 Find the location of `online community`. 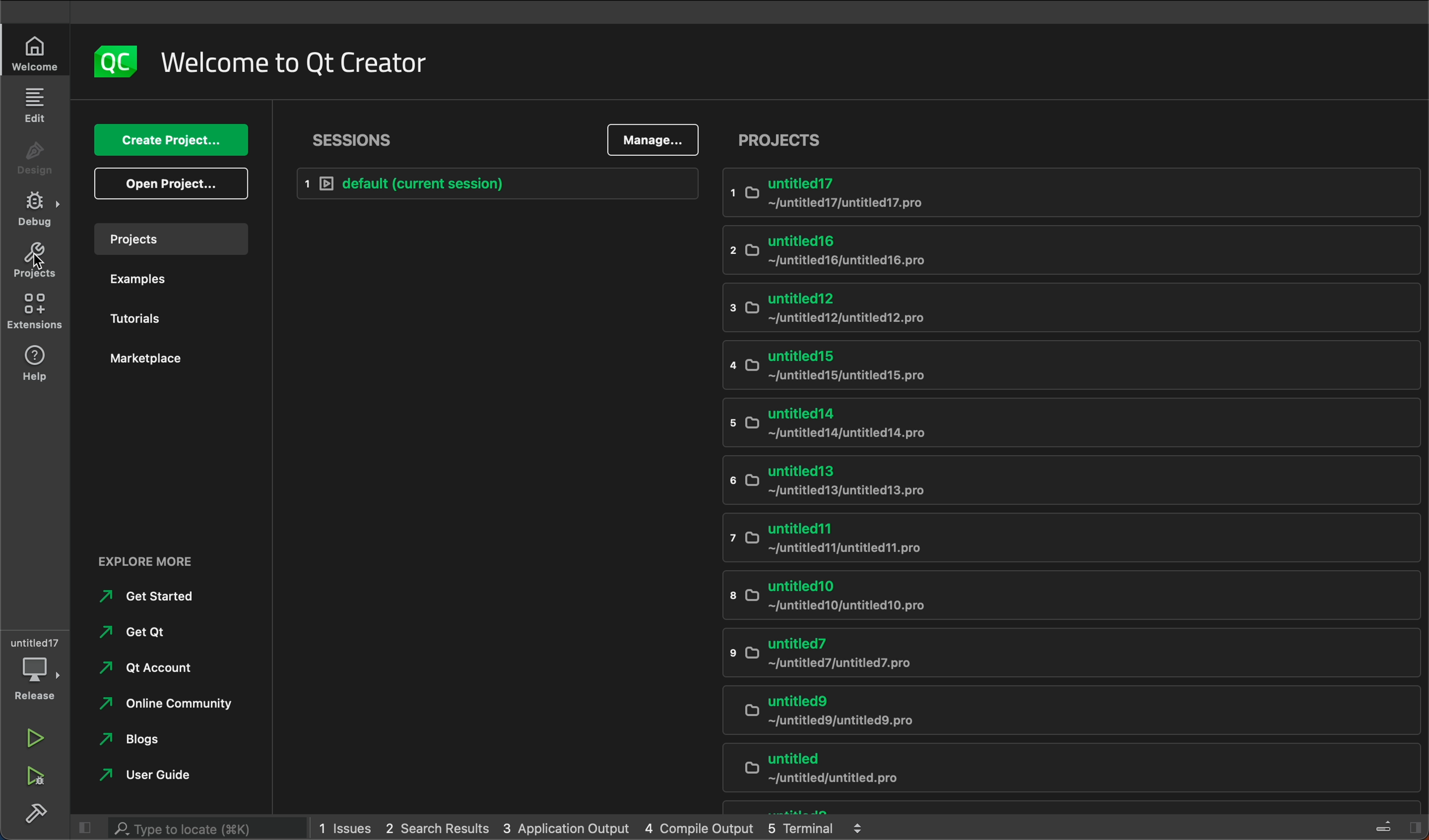

online community is located at coordinates (163, 703).